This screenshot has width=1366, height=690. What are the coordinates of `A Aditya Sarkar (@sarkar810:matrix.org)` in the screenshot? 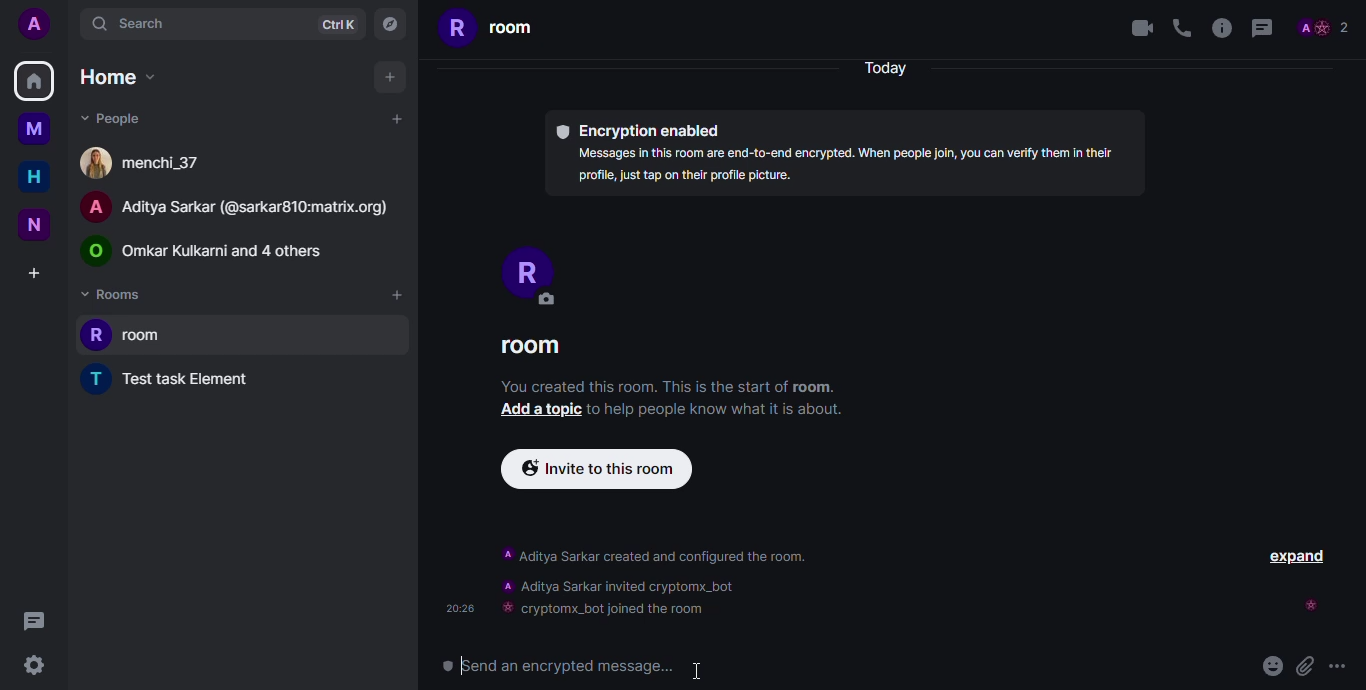 It's located at (240, 210).